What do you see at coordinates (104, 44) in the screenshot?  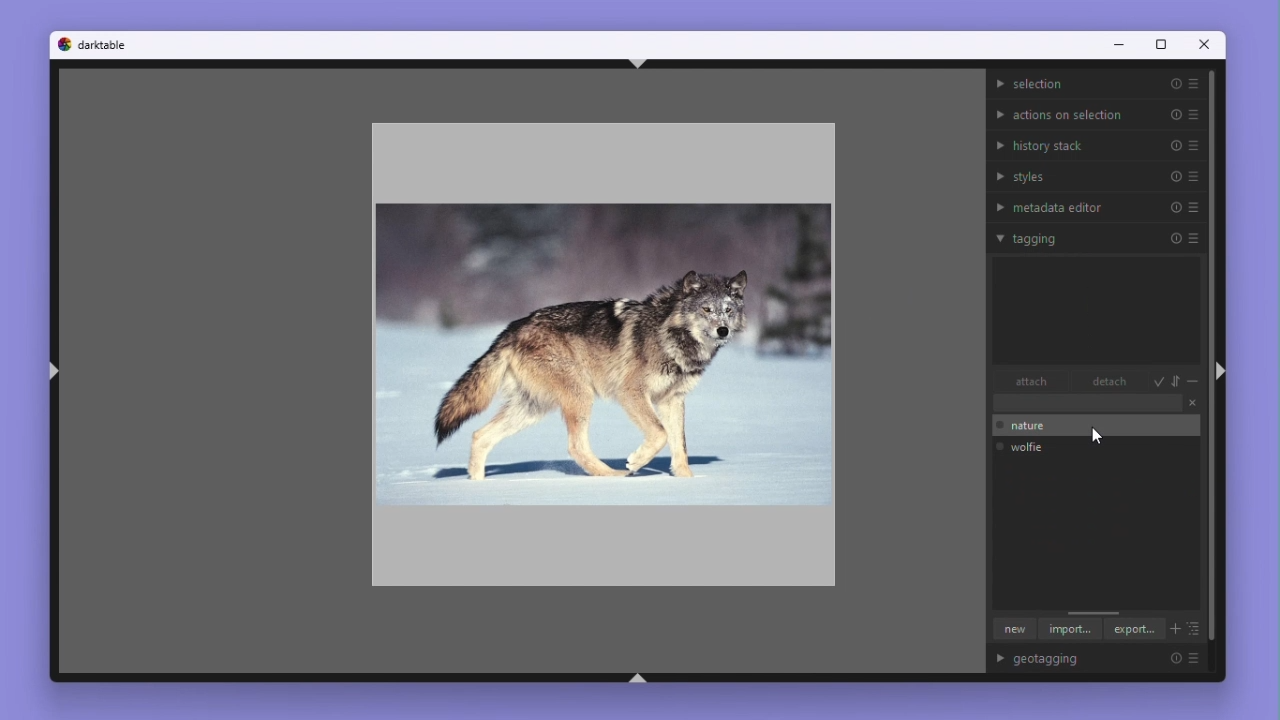 I see `Dark Table` at bounding box center [104, 44].